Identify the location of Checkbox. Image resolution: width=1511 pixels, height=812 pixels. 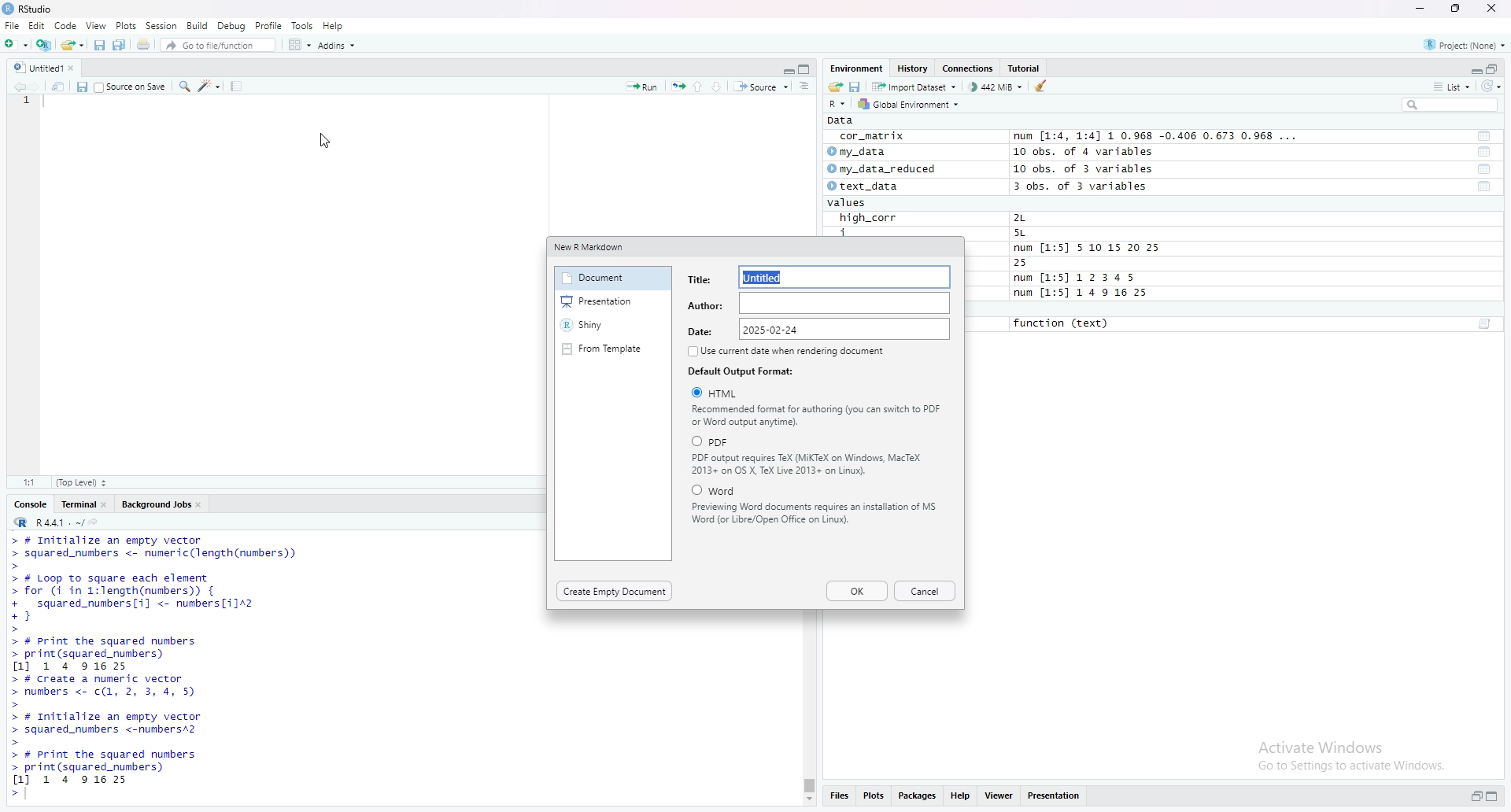
(695, 393).